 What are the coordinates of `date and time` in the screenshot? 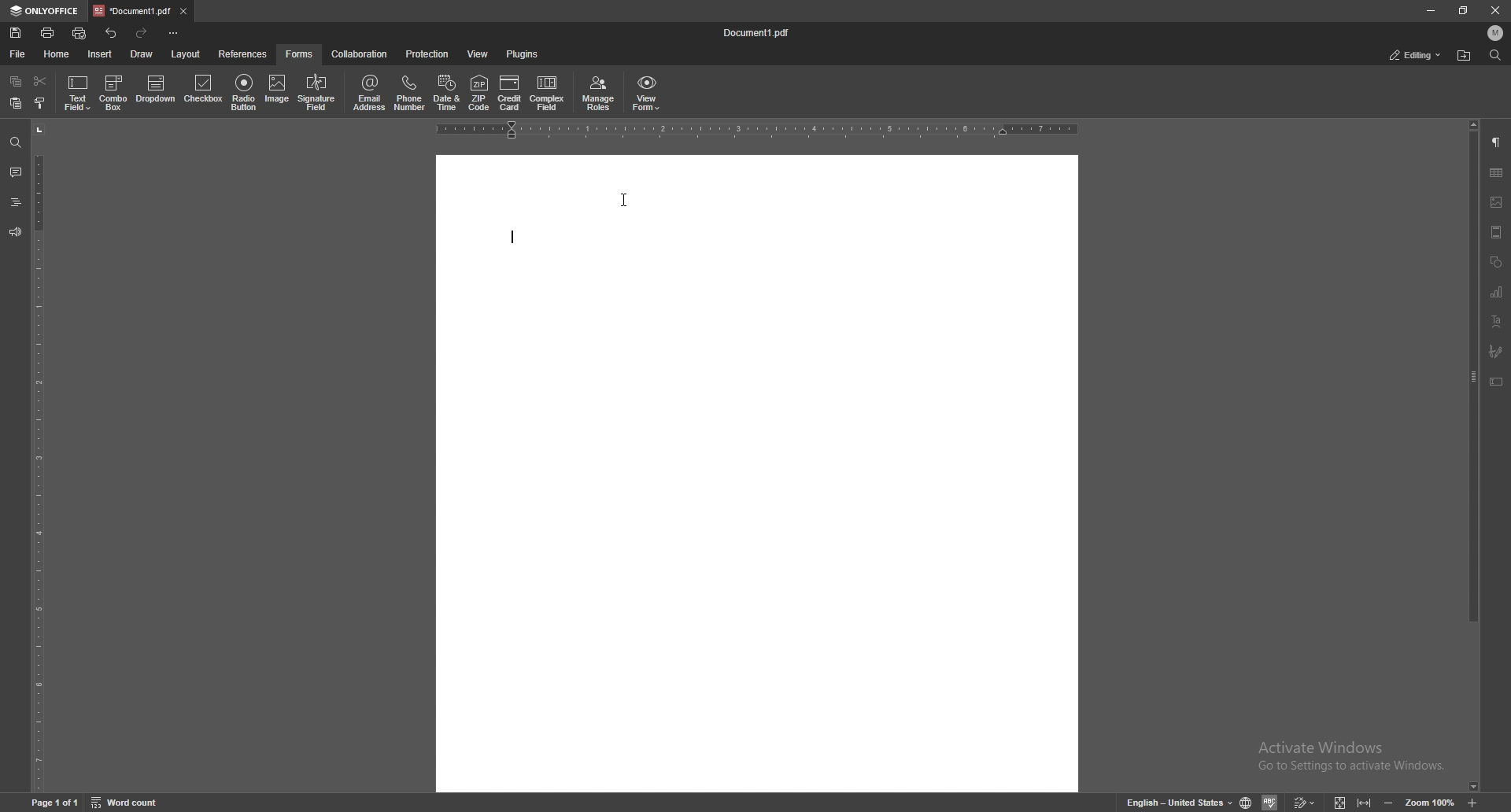 It's located at (447, 94).